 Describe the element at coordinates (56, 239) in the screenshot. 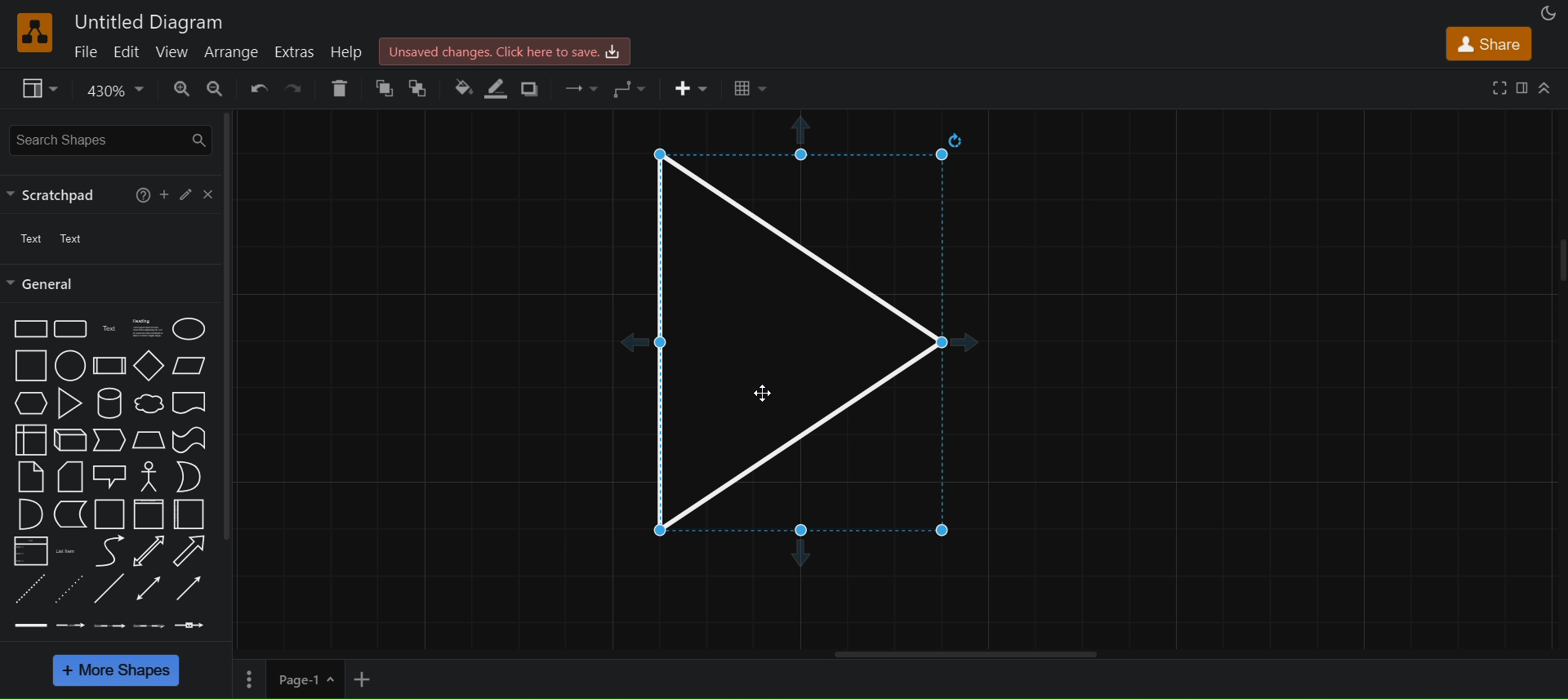

I see `text ` at that location.